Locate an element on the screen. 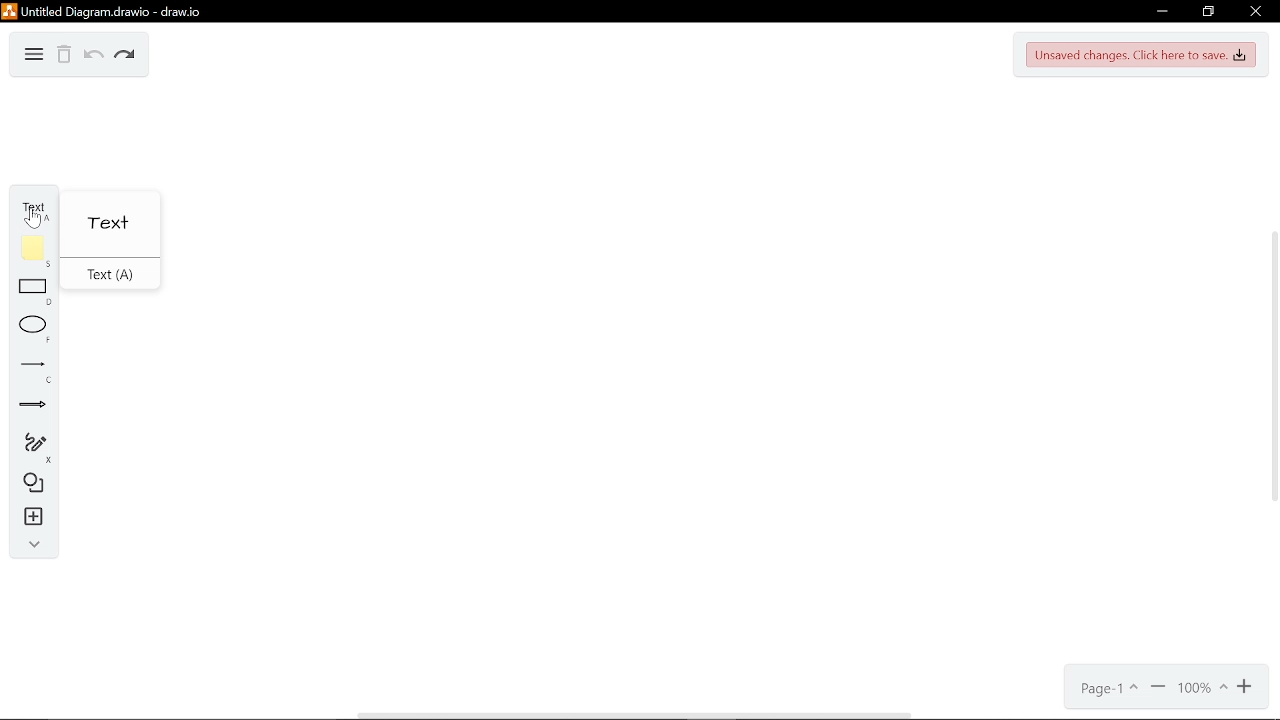 The width and height of the screenshot is (1280, 720). Text is located at coordinates (29, 204).